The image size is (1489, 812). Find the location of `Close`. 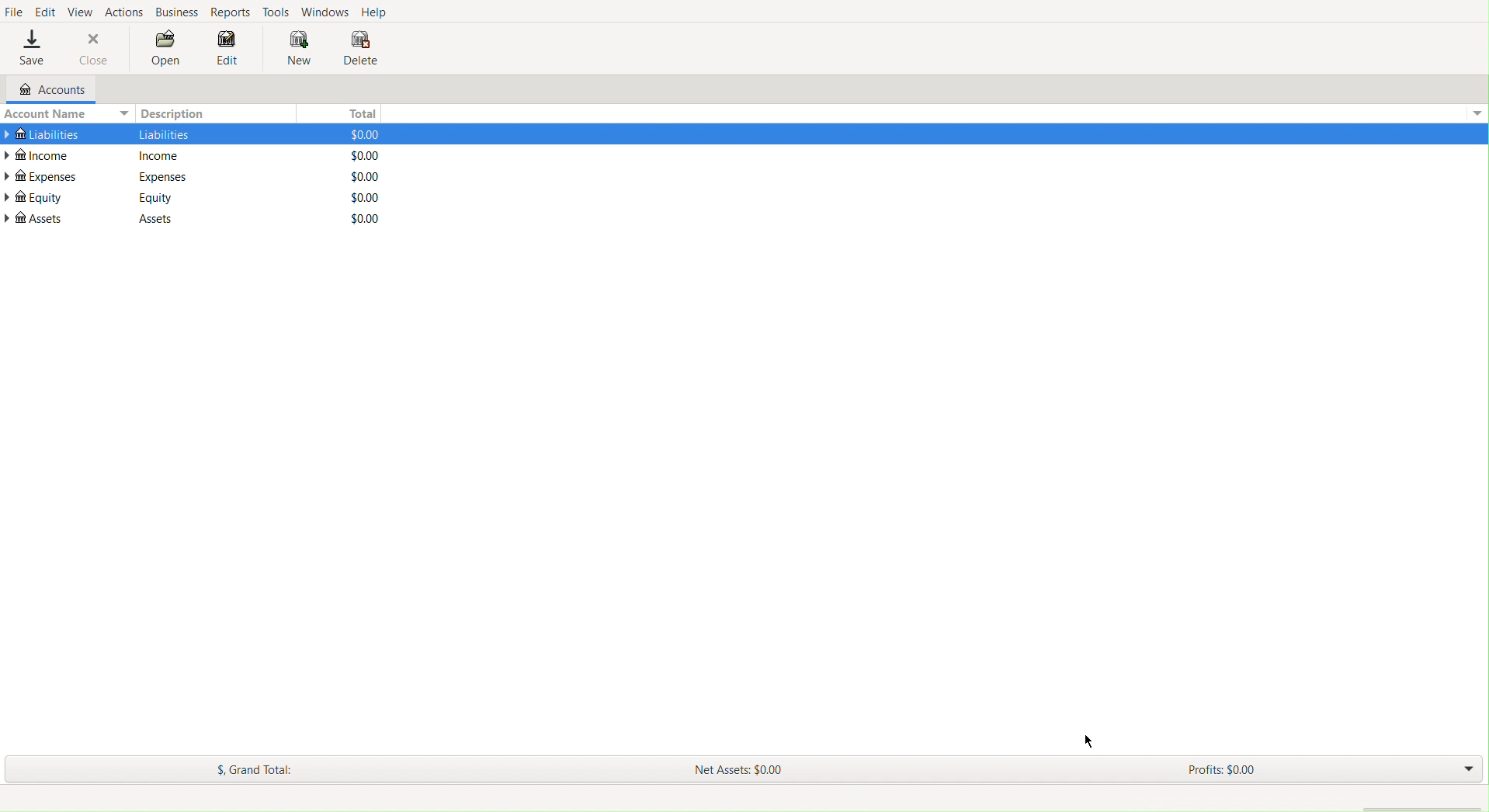

Close is located at coordinates (95, 48).